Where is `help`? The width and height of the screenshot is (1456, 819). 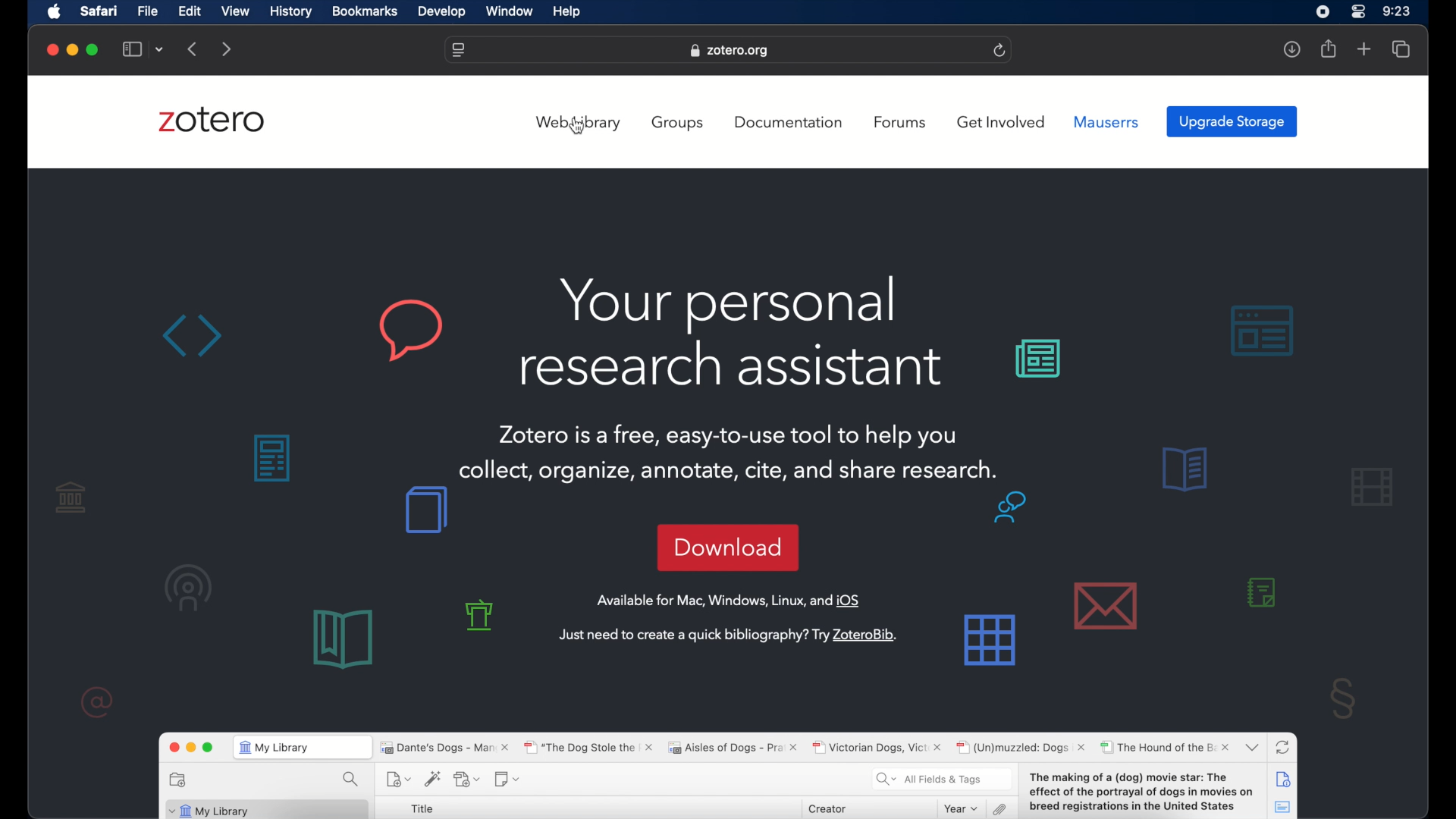 help is located at coordinates (566, 12).